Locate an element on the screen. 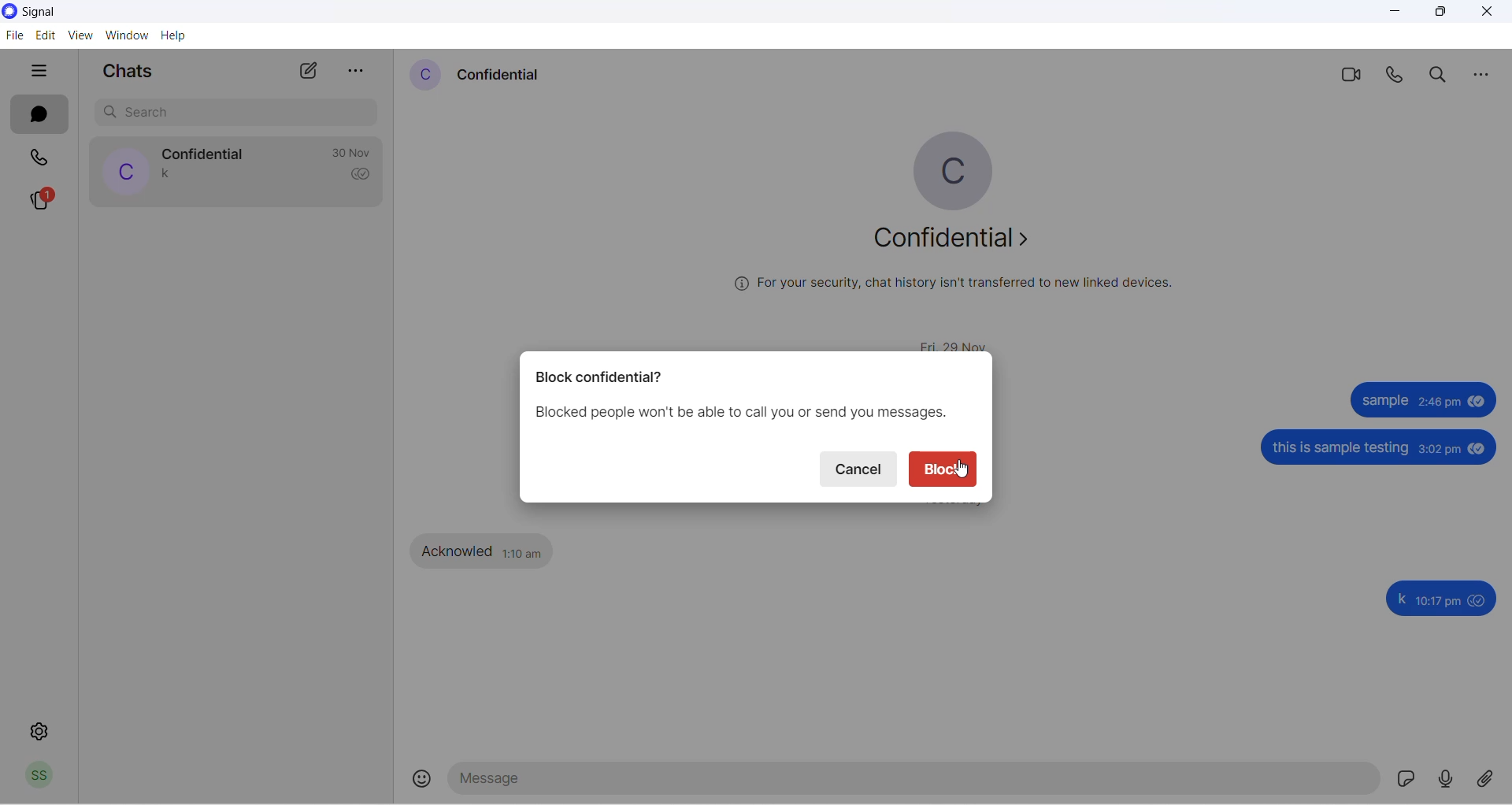  hide tabs is located at coordinates (36, 69).